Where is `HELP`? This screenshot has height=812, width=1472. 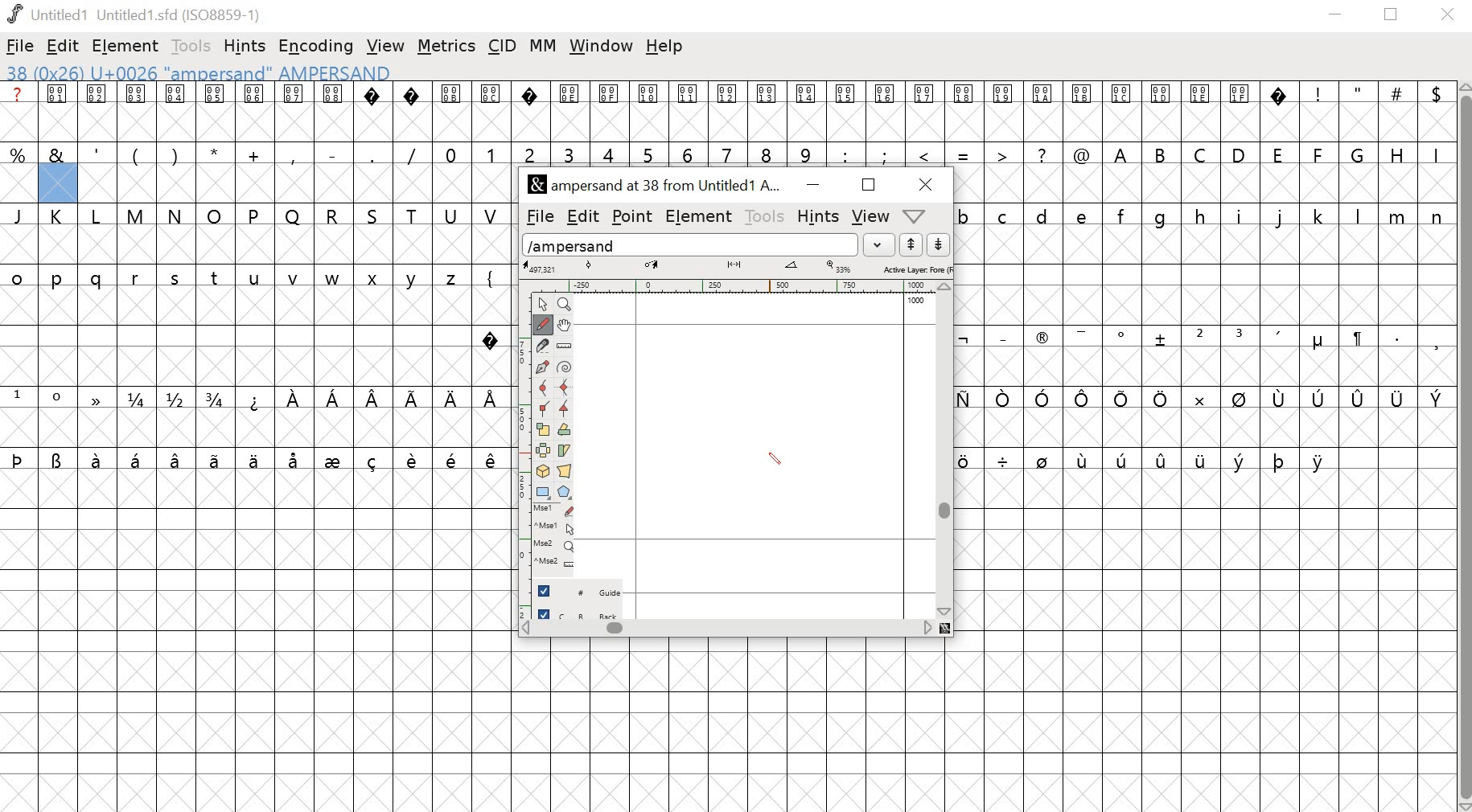 HELP is located at coordinates (913, 217).